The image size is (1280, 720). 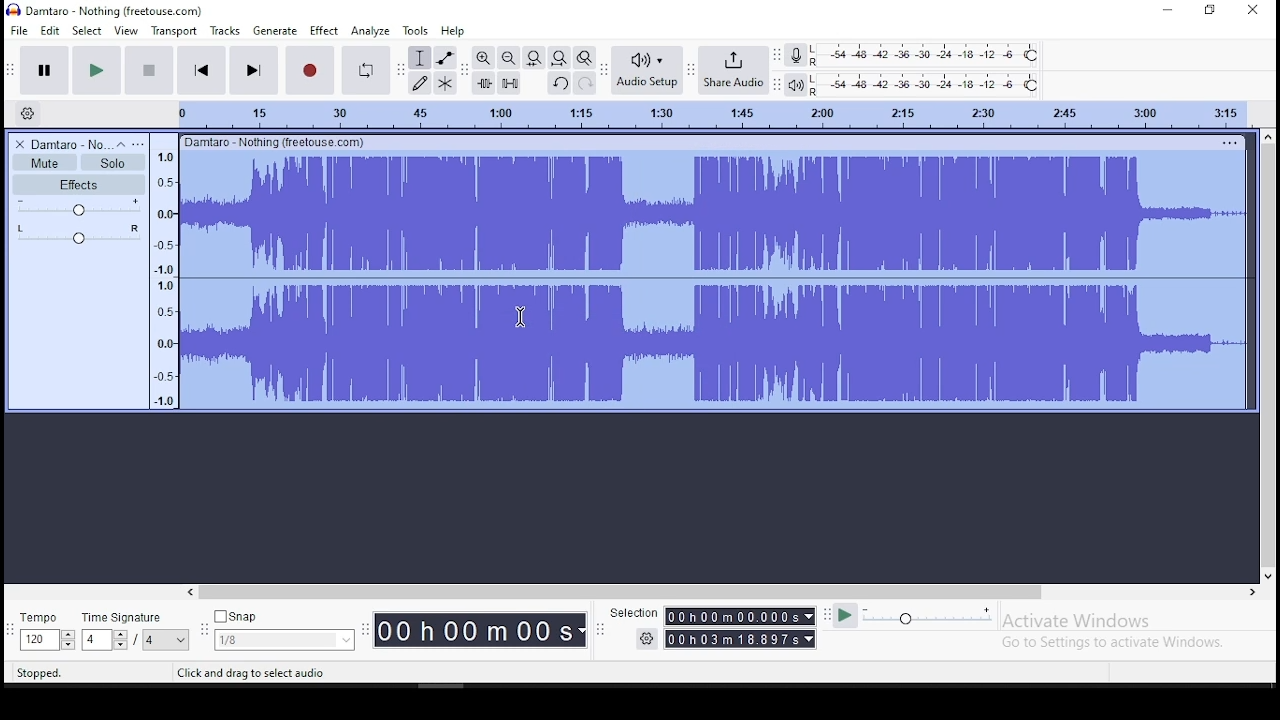 I want to click on scroll up, so click(x=1270, y=135).